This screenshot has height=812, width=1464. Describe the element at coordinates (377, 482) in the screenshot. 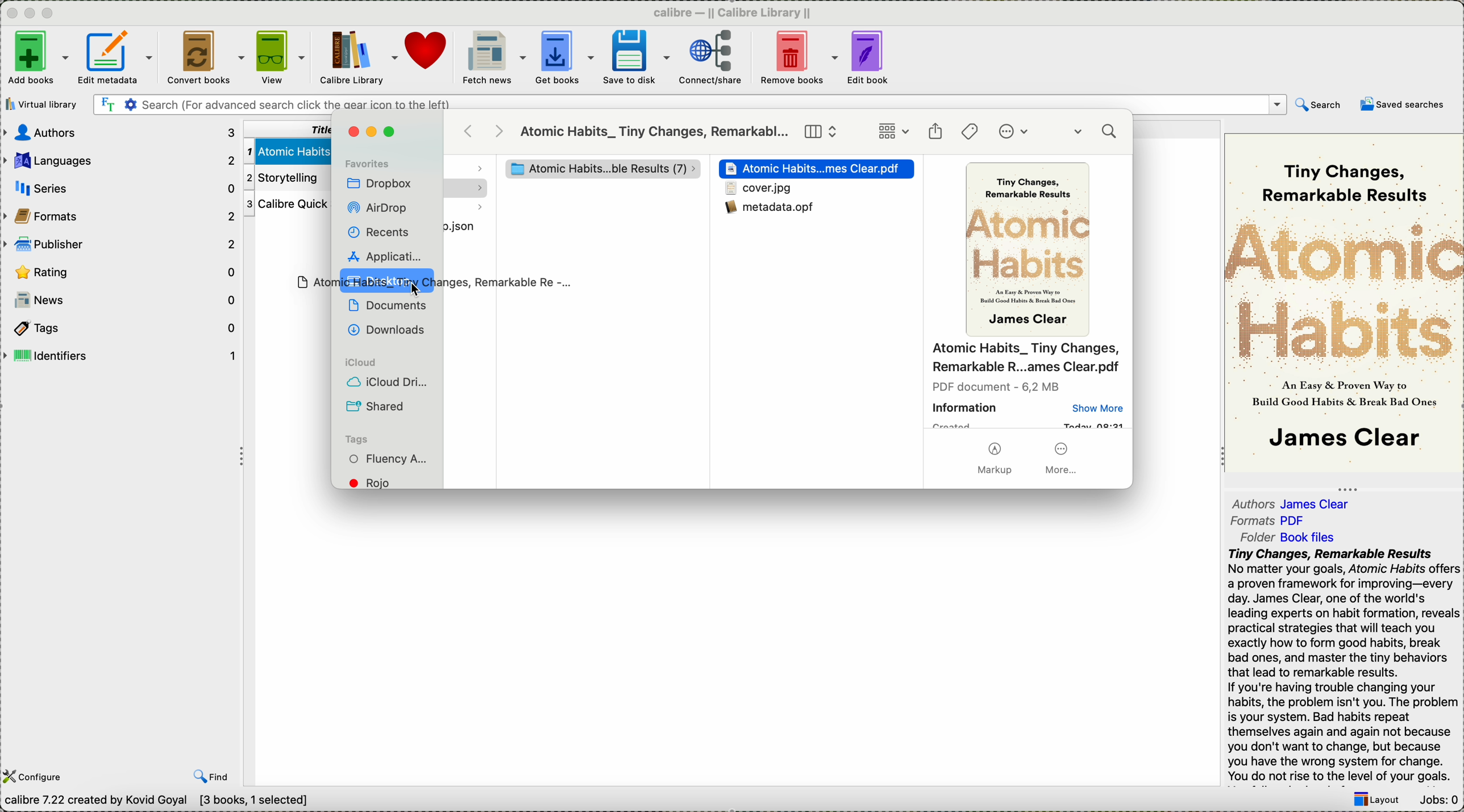

I see `red tag` at that location.